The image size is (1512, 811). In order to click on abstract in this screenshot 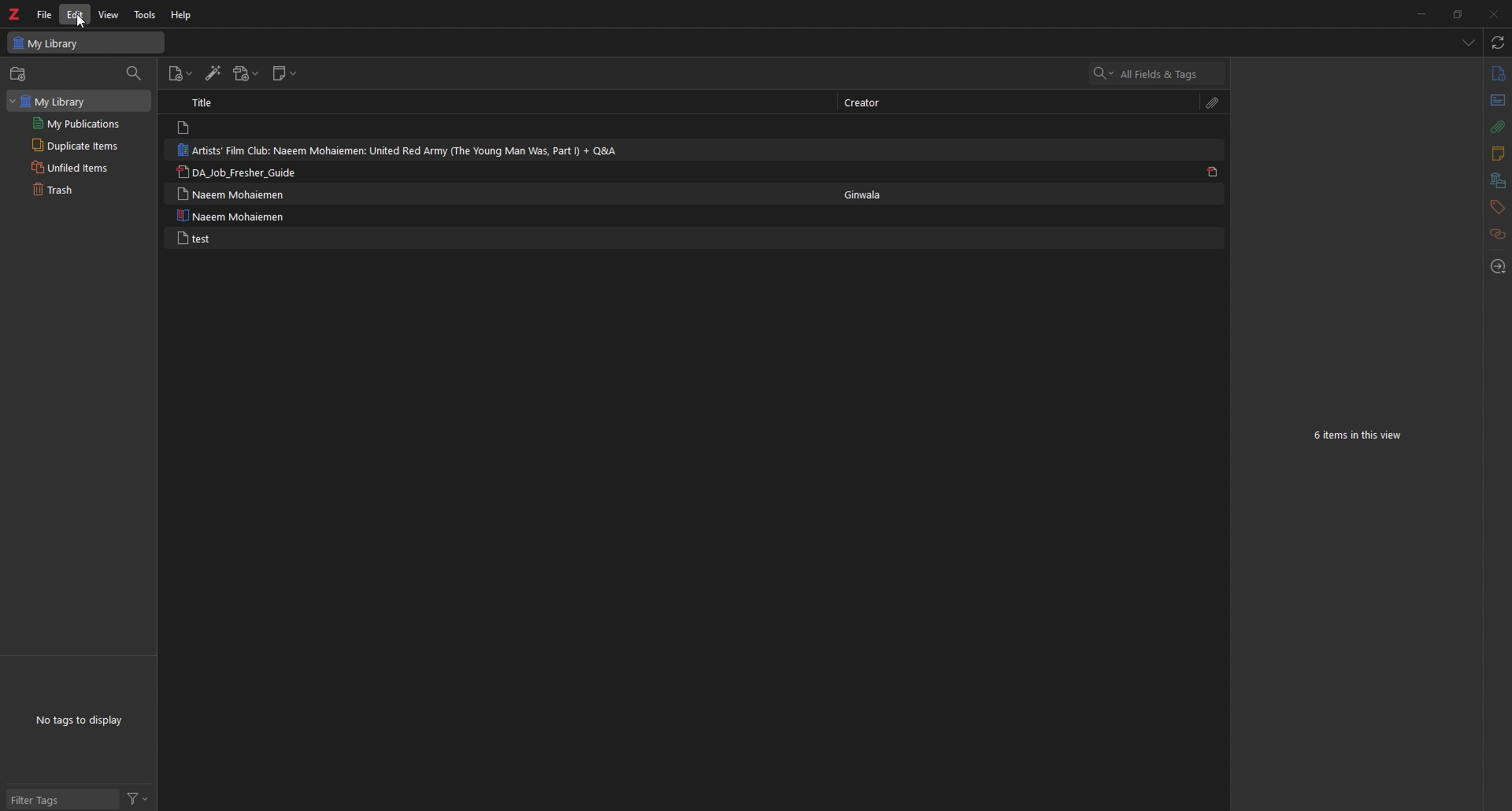, I will do `click(1496, 101)`.